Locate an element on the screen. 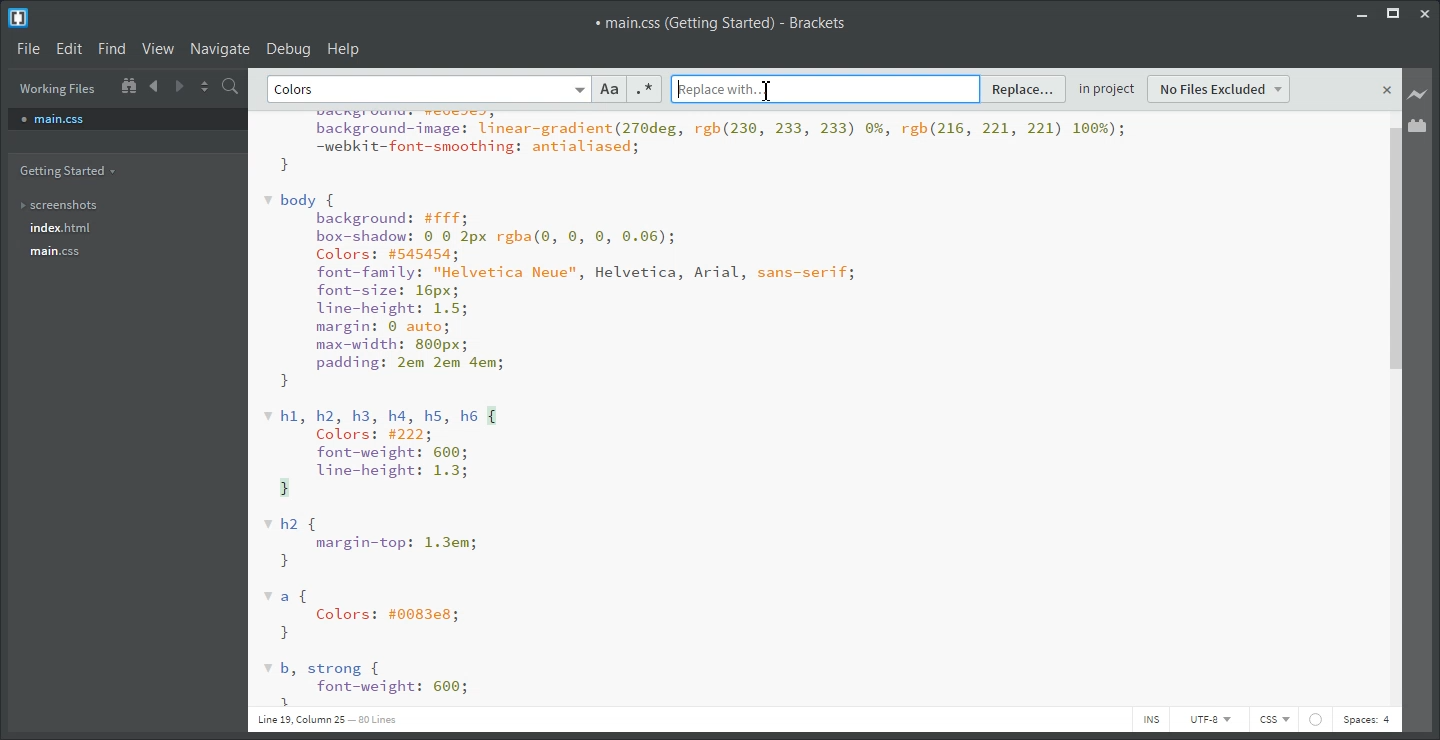 The image size is (1440, 740). Extension Manager is located at coordinates (1418, 125).